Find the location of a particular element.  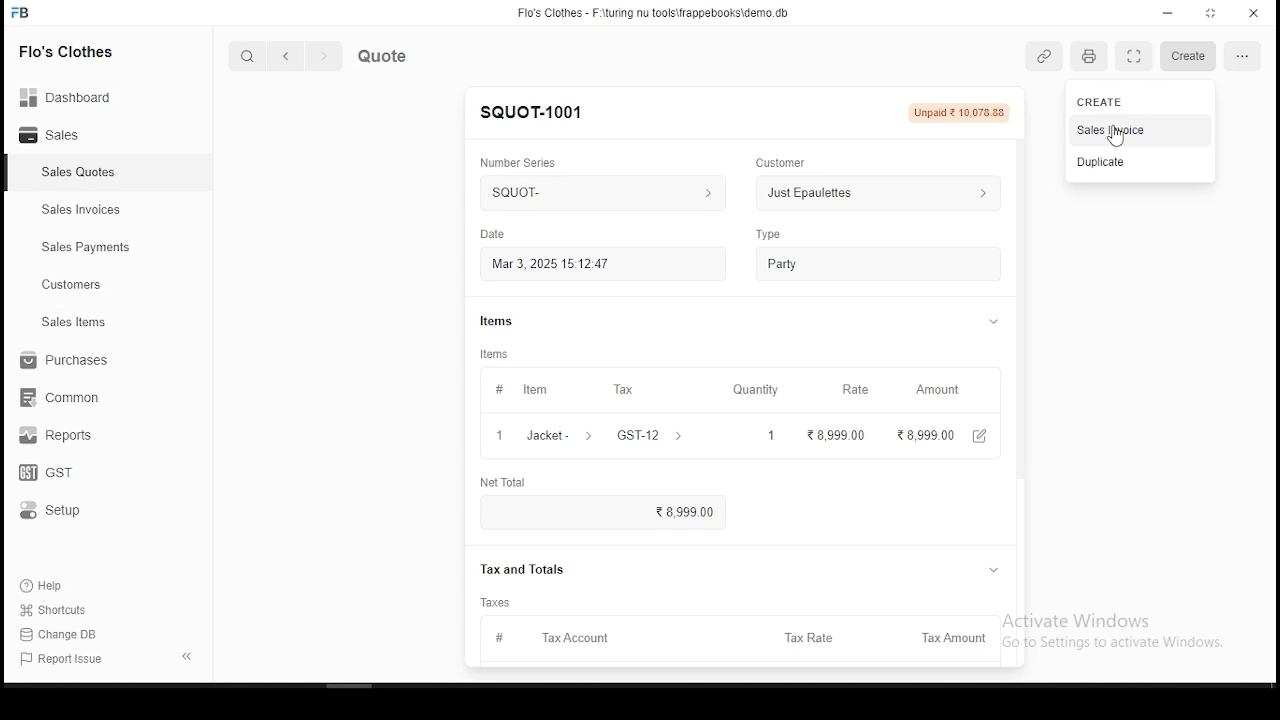

back is located at coordinates (283, 55).